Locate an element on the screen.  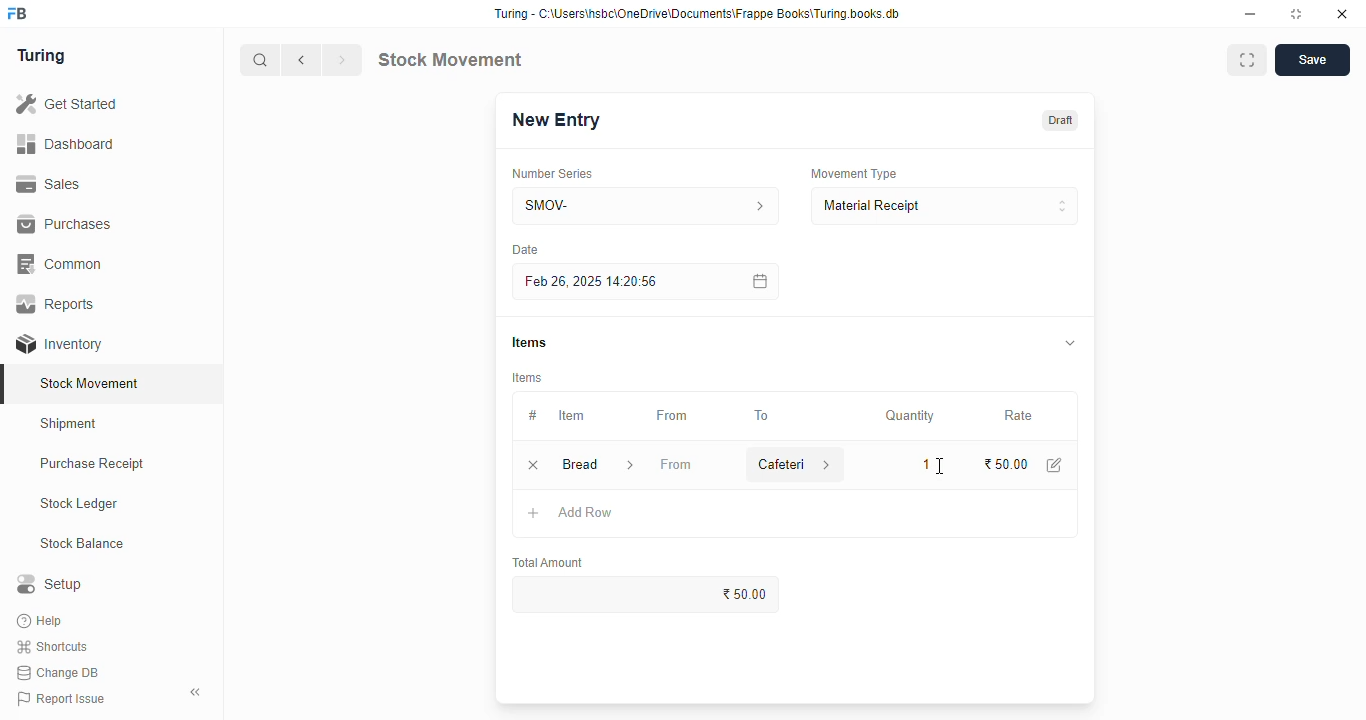
stock movement is located at coordinates (449, 59).